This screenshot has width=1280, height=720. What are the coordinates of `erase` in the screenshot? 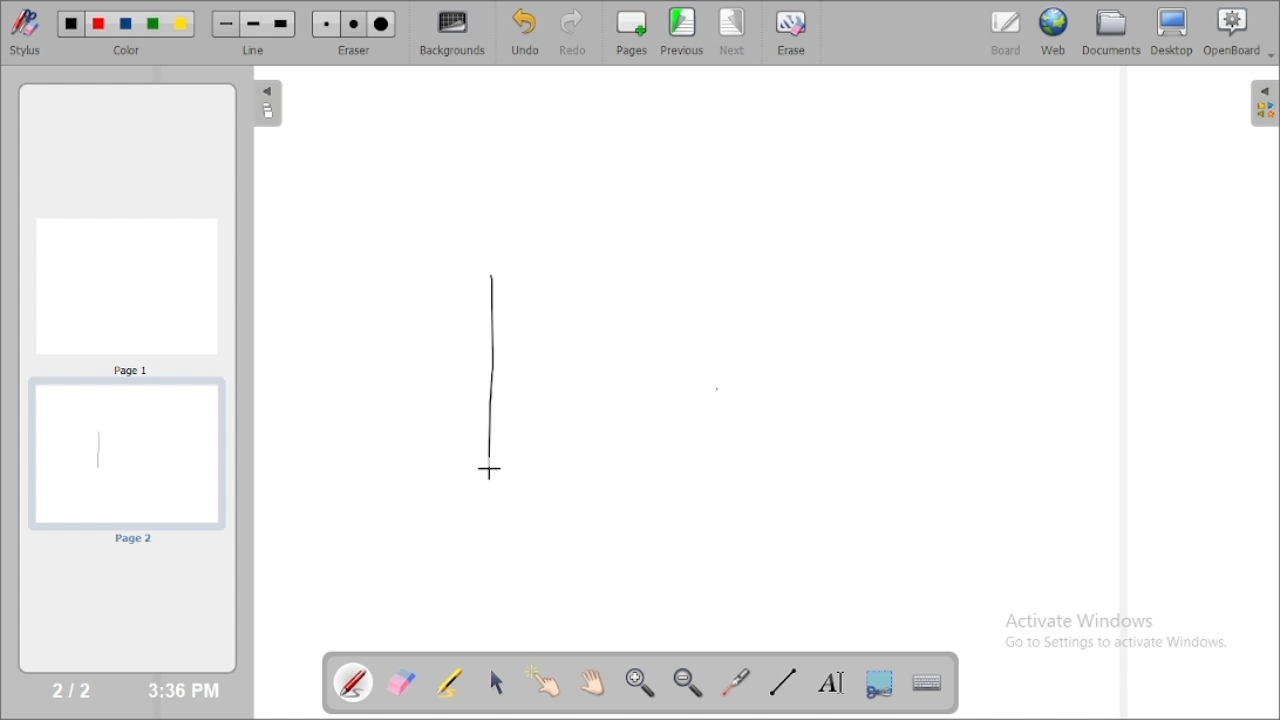 It's located at (790, 32).